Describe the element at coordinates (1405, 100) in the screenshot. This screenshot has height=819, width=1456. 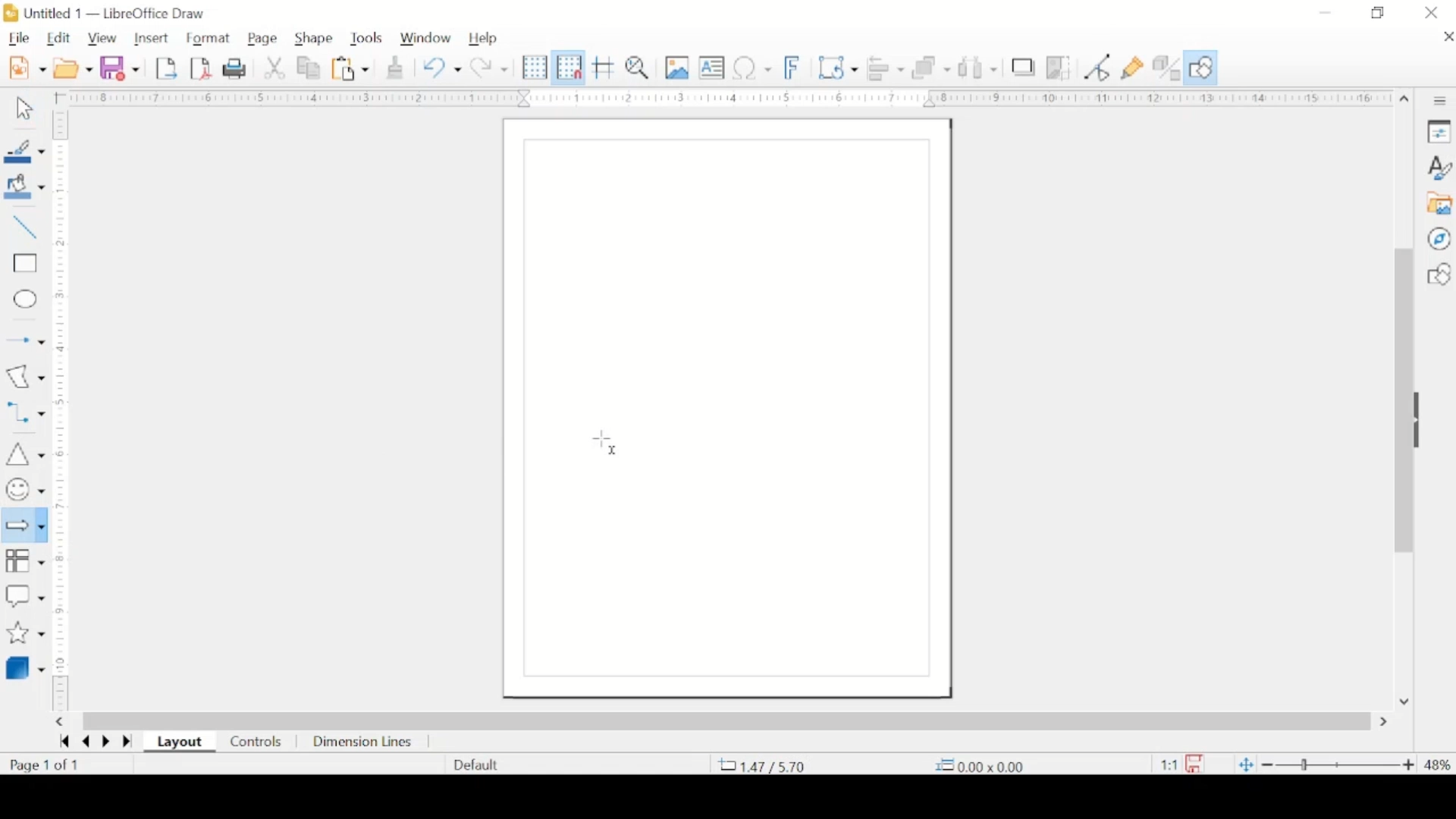
I see `scroll up arrow` at that location.